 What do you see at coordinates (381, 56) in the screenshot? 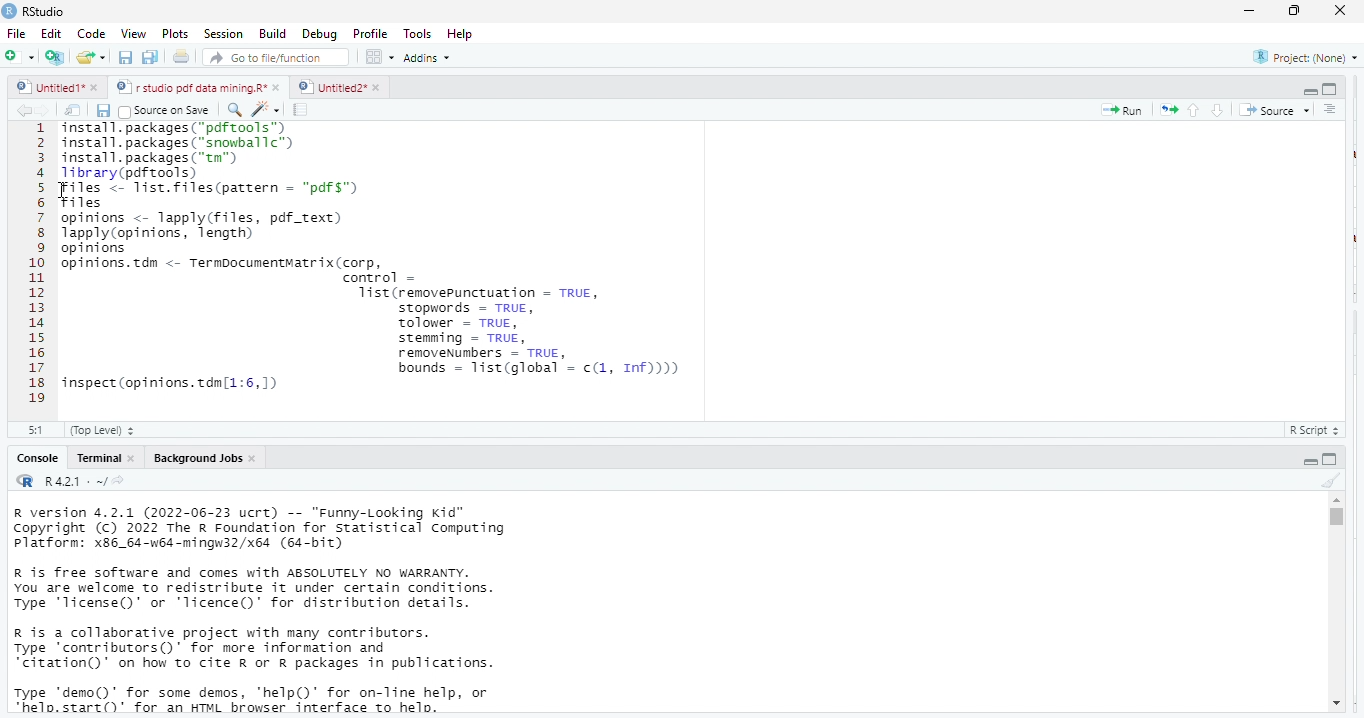
I see `options` at bounding box center [381, 56].